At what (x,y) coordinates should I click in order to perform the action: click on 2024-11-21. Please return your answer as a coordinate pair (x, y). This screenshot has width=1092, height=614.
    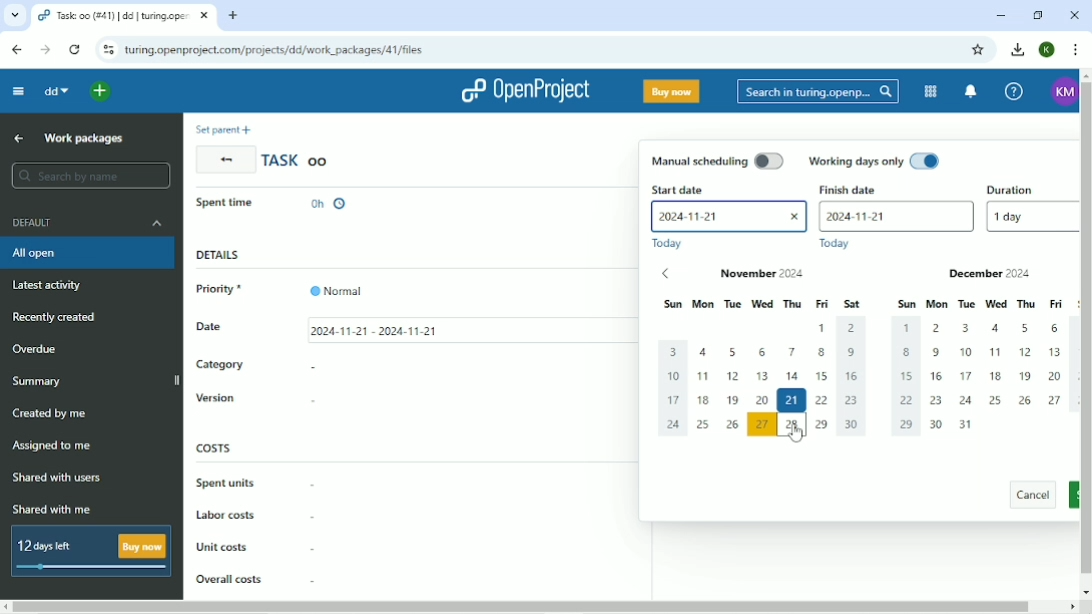
    Looking at the image, I should click on (899, 216).